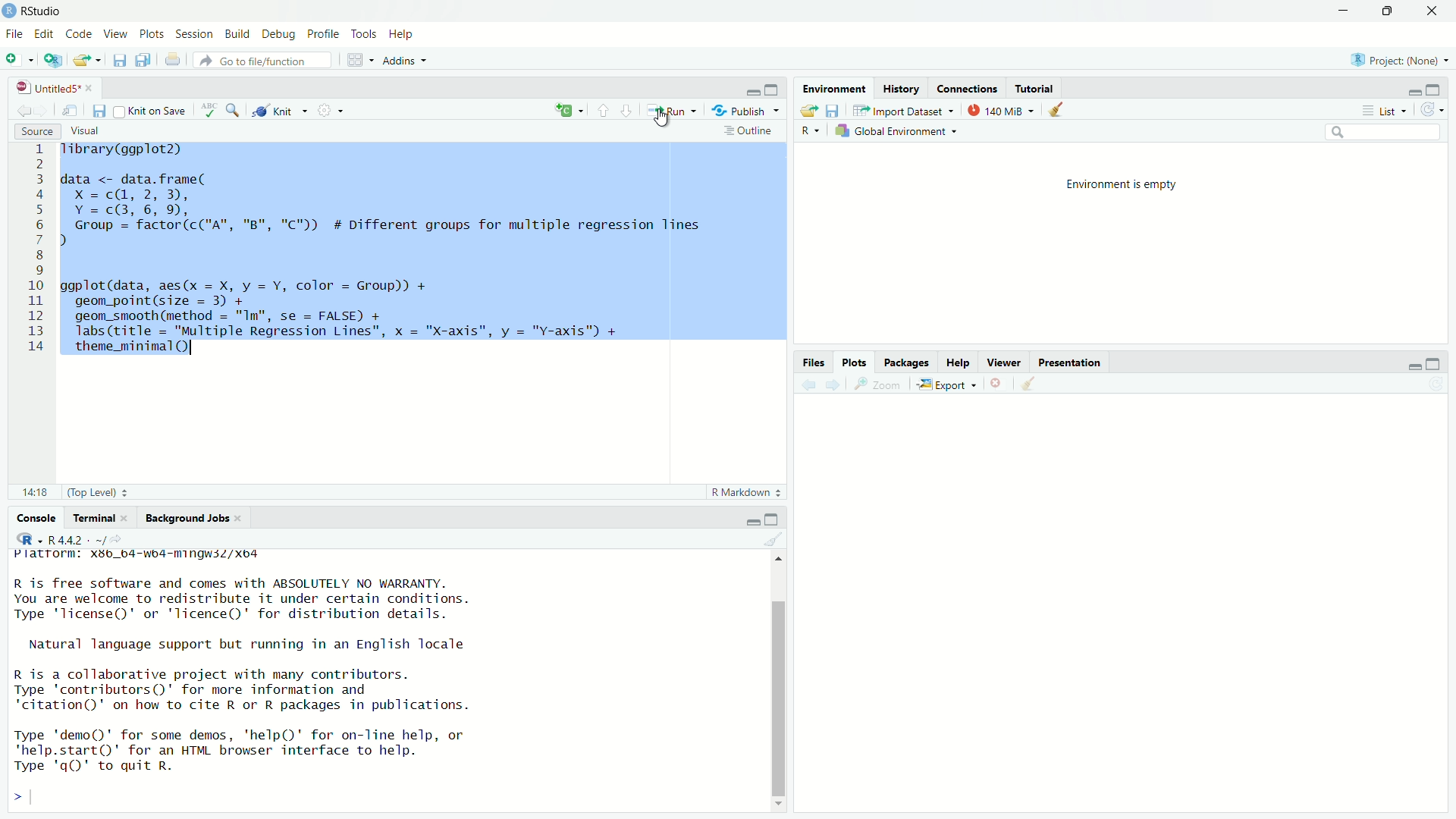 The width and height of the screenshot is (1456, 819). Describe the element at coordinates (1439, 90) in the screenshot. I see `maximise` at that location.